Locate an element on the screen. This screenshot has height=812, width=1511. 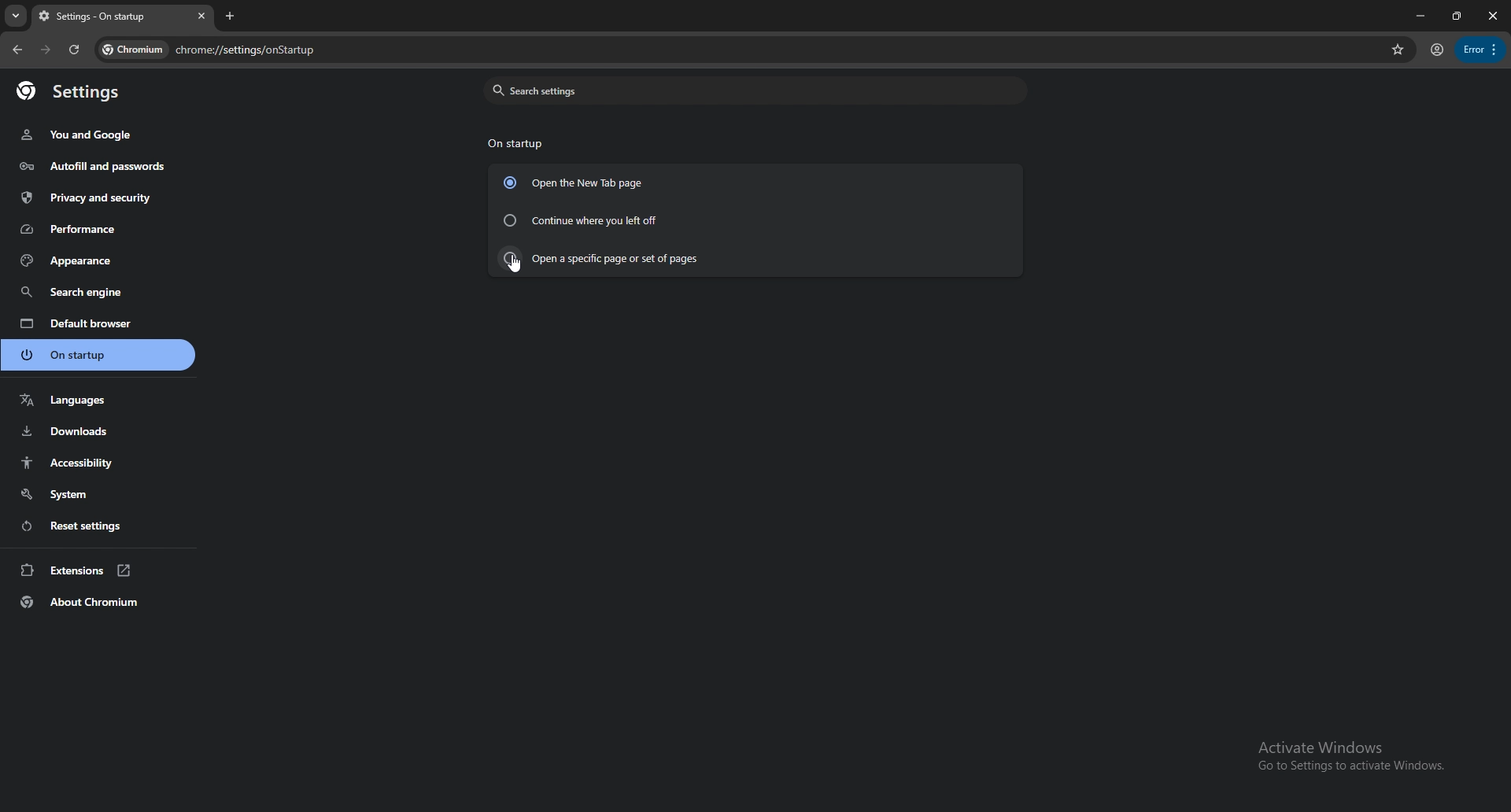
open a specific page or set of pages is located at coordinates (599, 257).